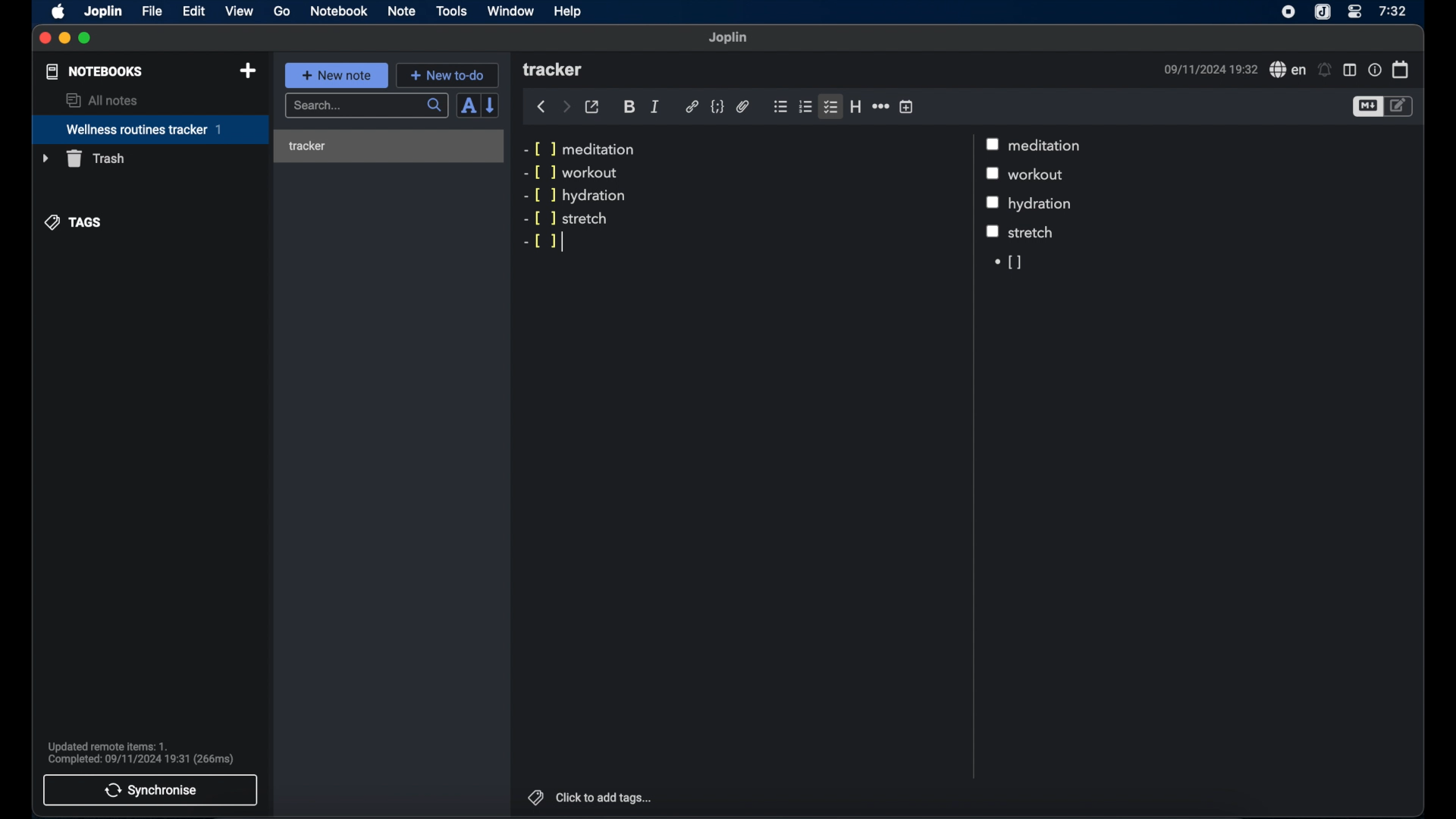 This screenshot has width=1456, height=819. I want to click on heading, so click(855, 106).